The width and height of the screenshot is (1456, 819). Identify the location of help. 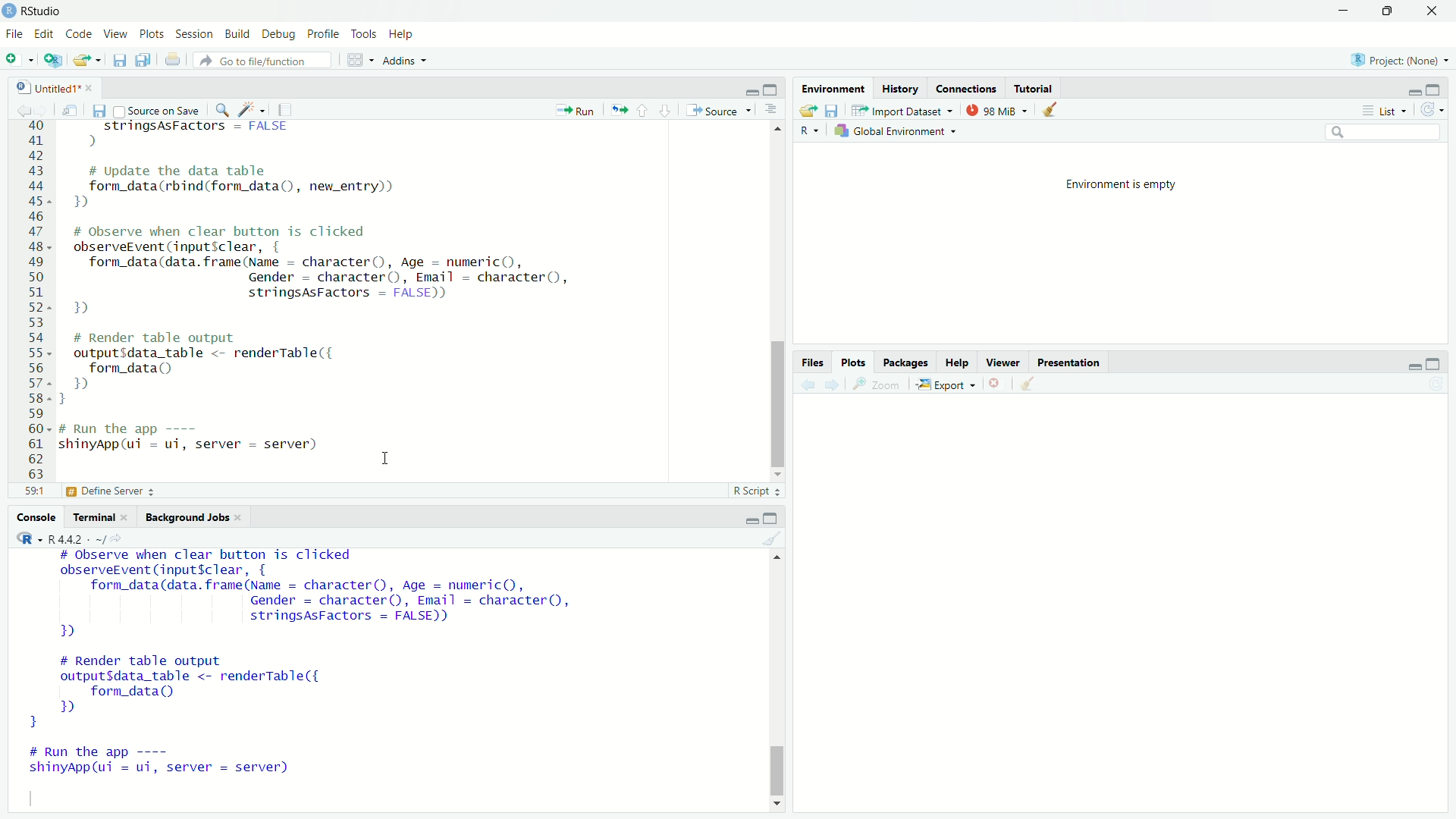
(955, 362).